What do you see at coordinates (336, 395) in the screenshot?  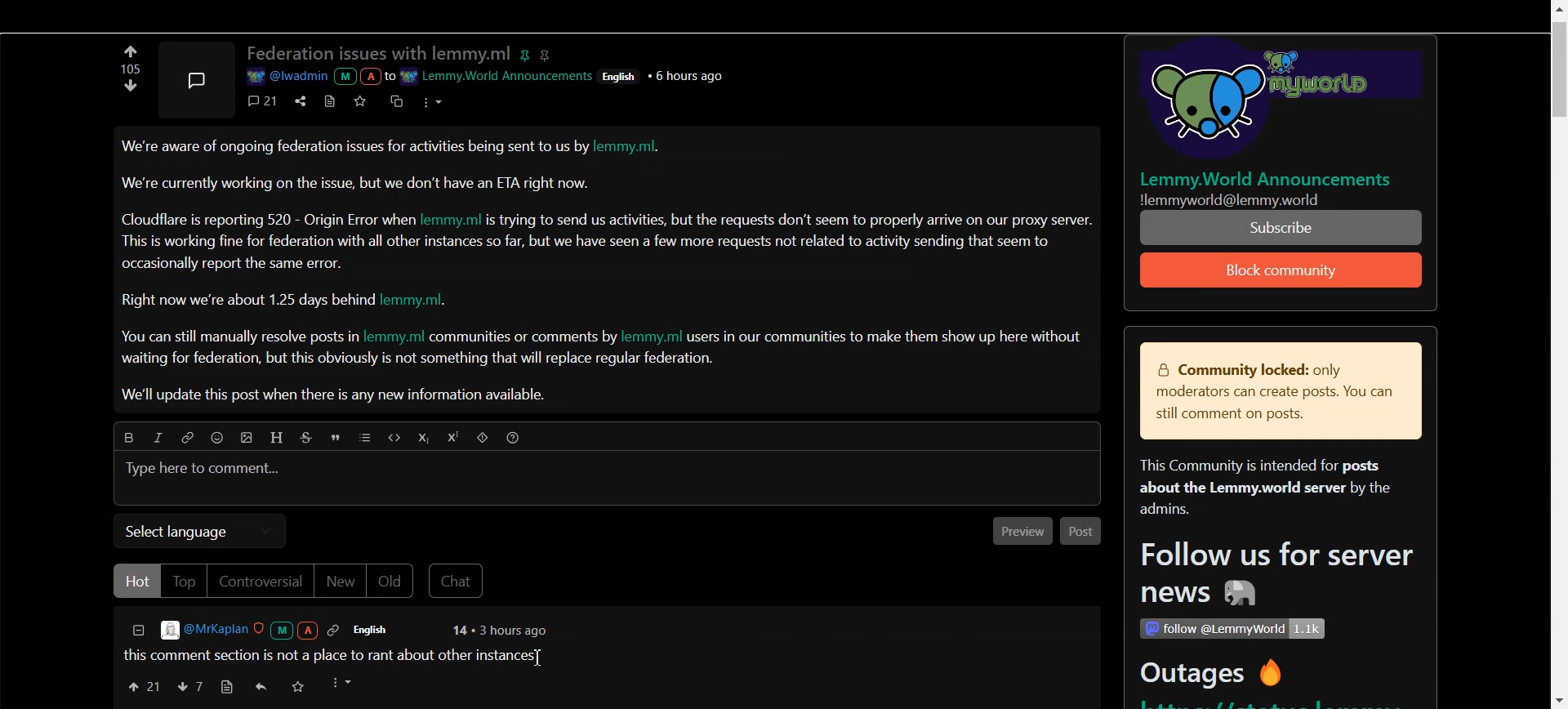 I see `We'll update this post when there is any new information available.` at bounding box center [336, 395].